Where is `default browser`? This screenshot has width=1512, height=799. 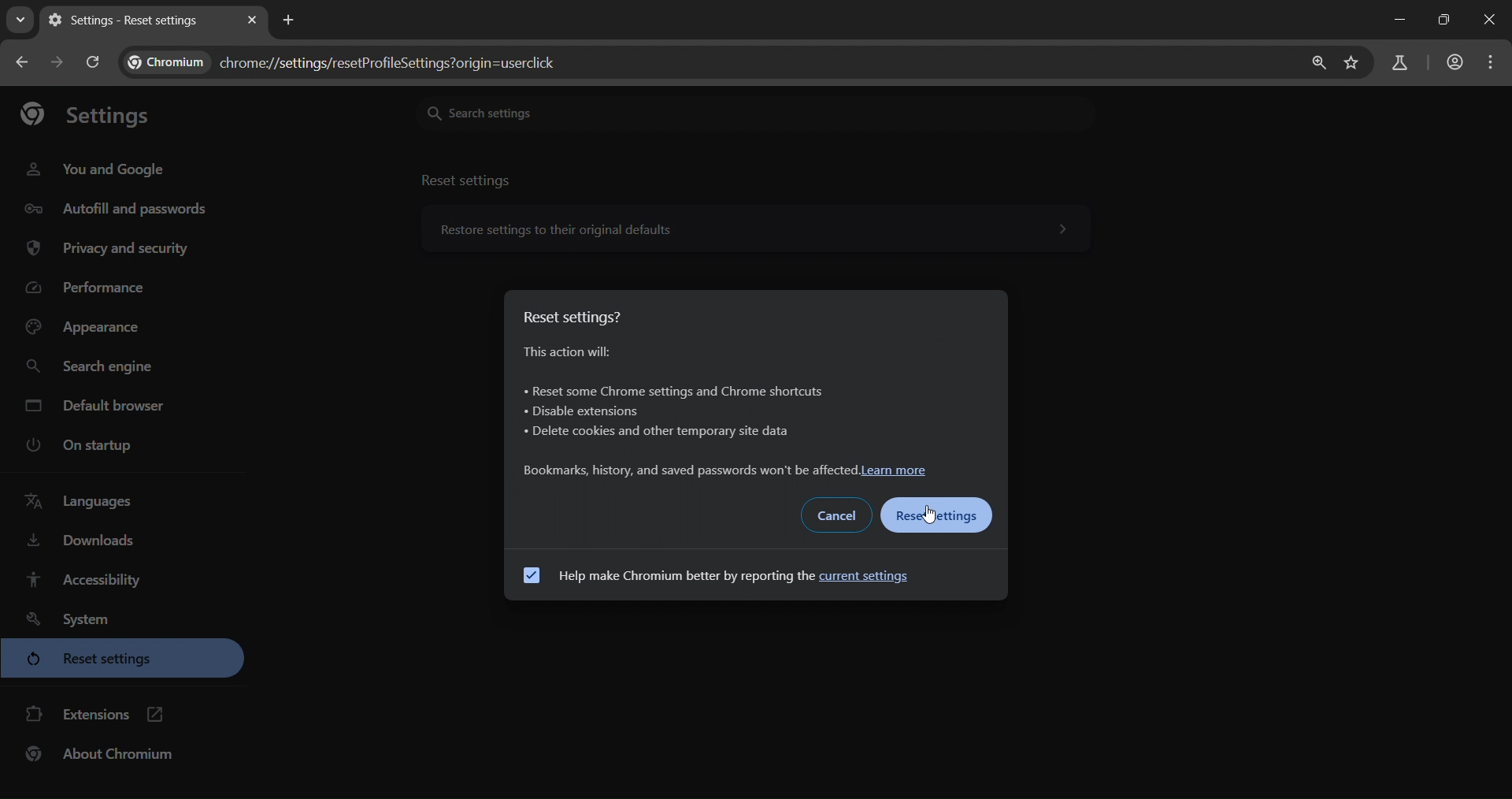 default browser is located at coordinates (103, 407).